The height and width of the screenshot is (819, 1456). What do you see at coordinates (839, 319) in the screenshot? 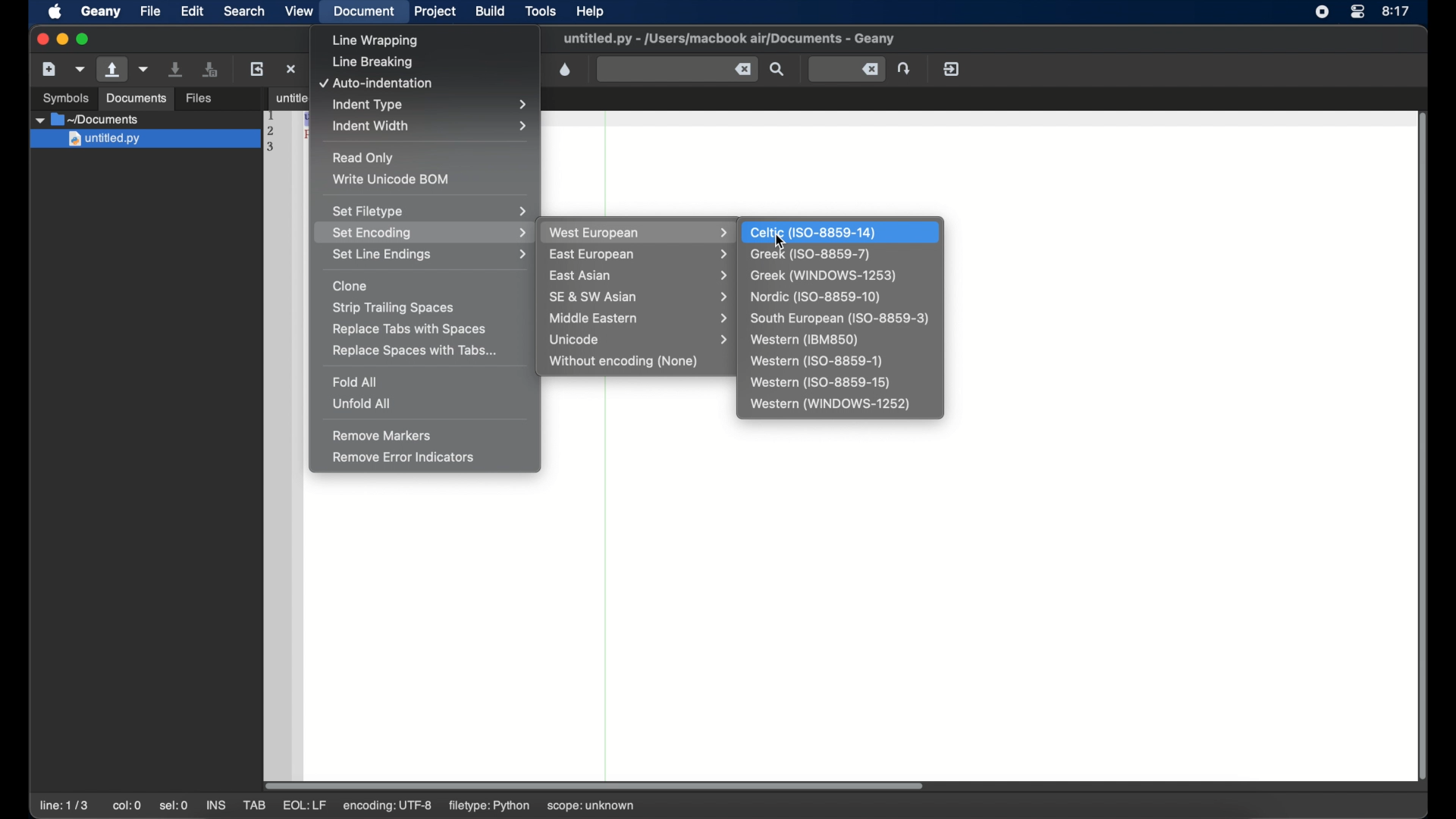
I see `south european` at bounding box center [839, 319].